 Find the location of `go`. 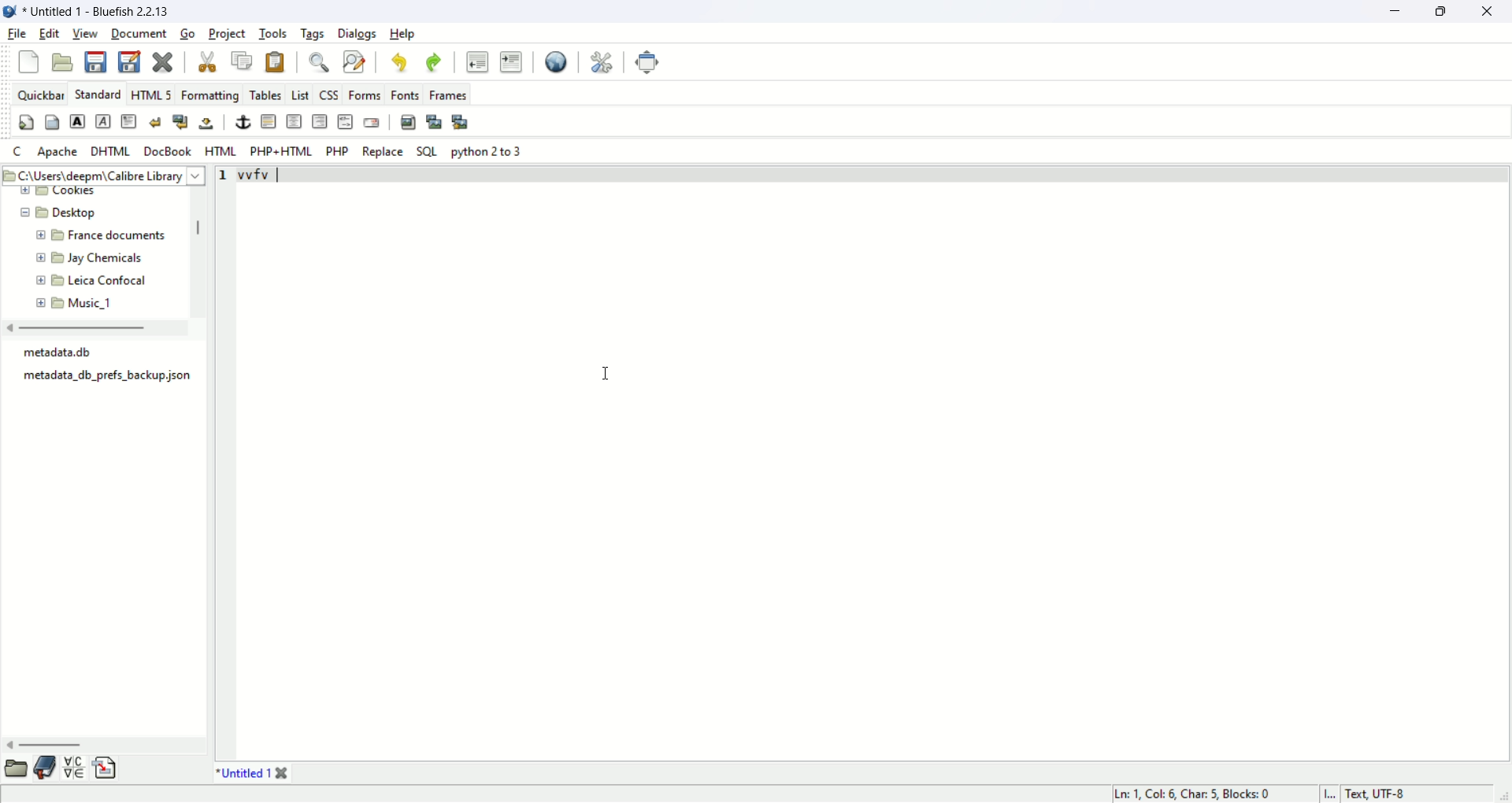

go is located at coordinates (189, 35).